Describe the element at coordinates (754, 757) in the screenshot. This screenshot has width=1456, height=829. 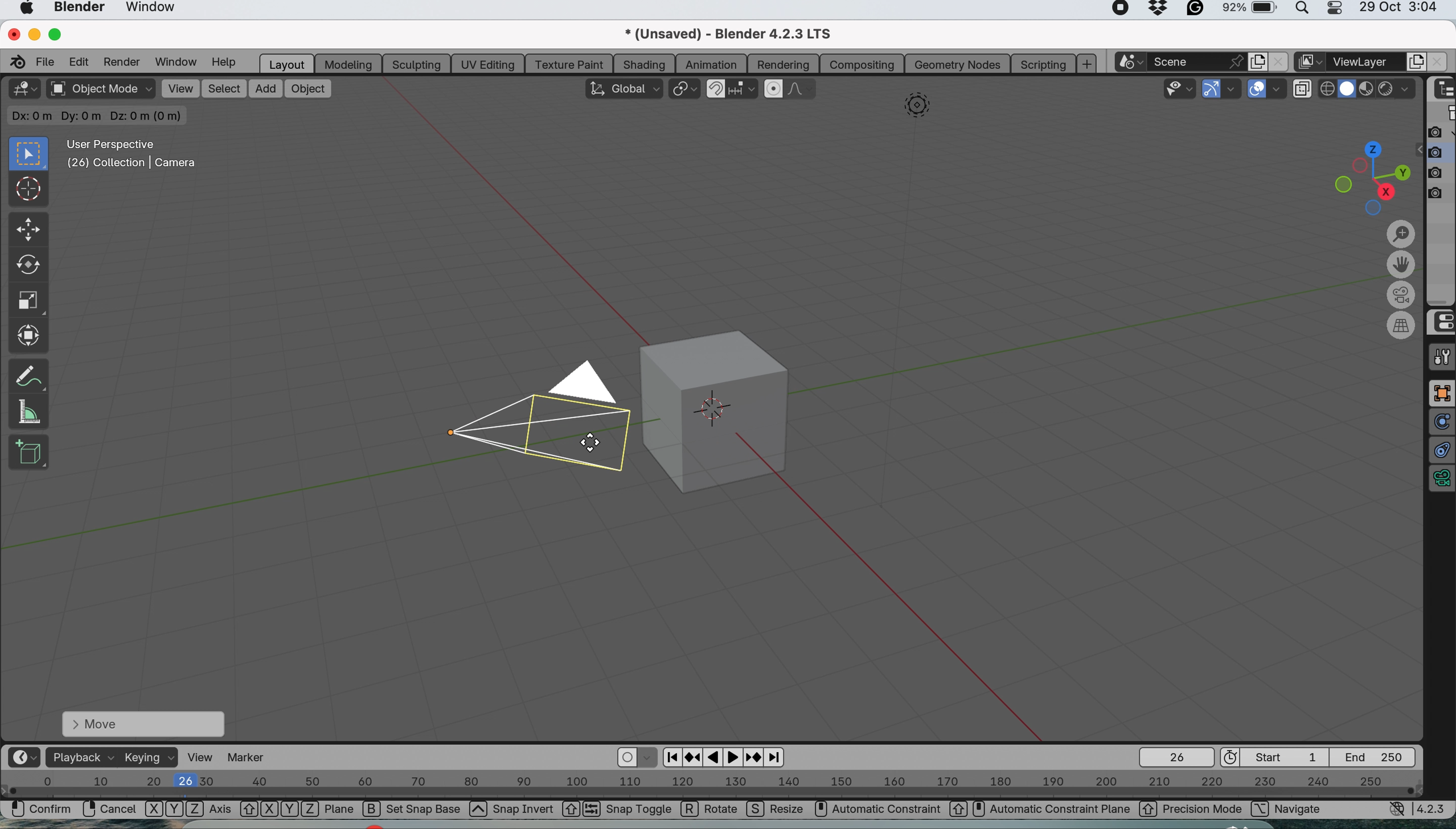
I see `Forward` at that location.